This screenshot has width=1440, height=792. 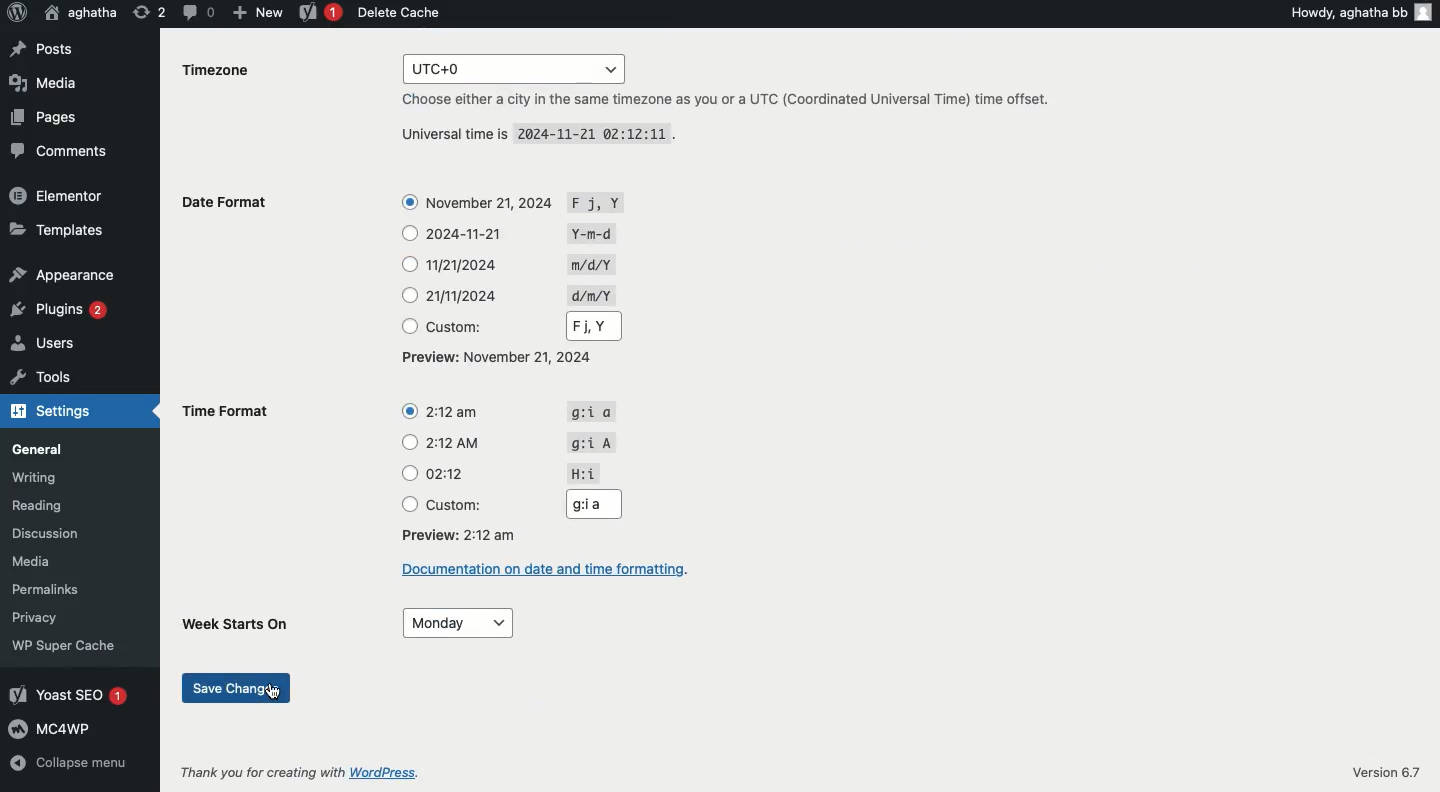 What do you see at coordinates (46, 560) in the screenshot?
I see `Media` at bounding box center [46, 560].